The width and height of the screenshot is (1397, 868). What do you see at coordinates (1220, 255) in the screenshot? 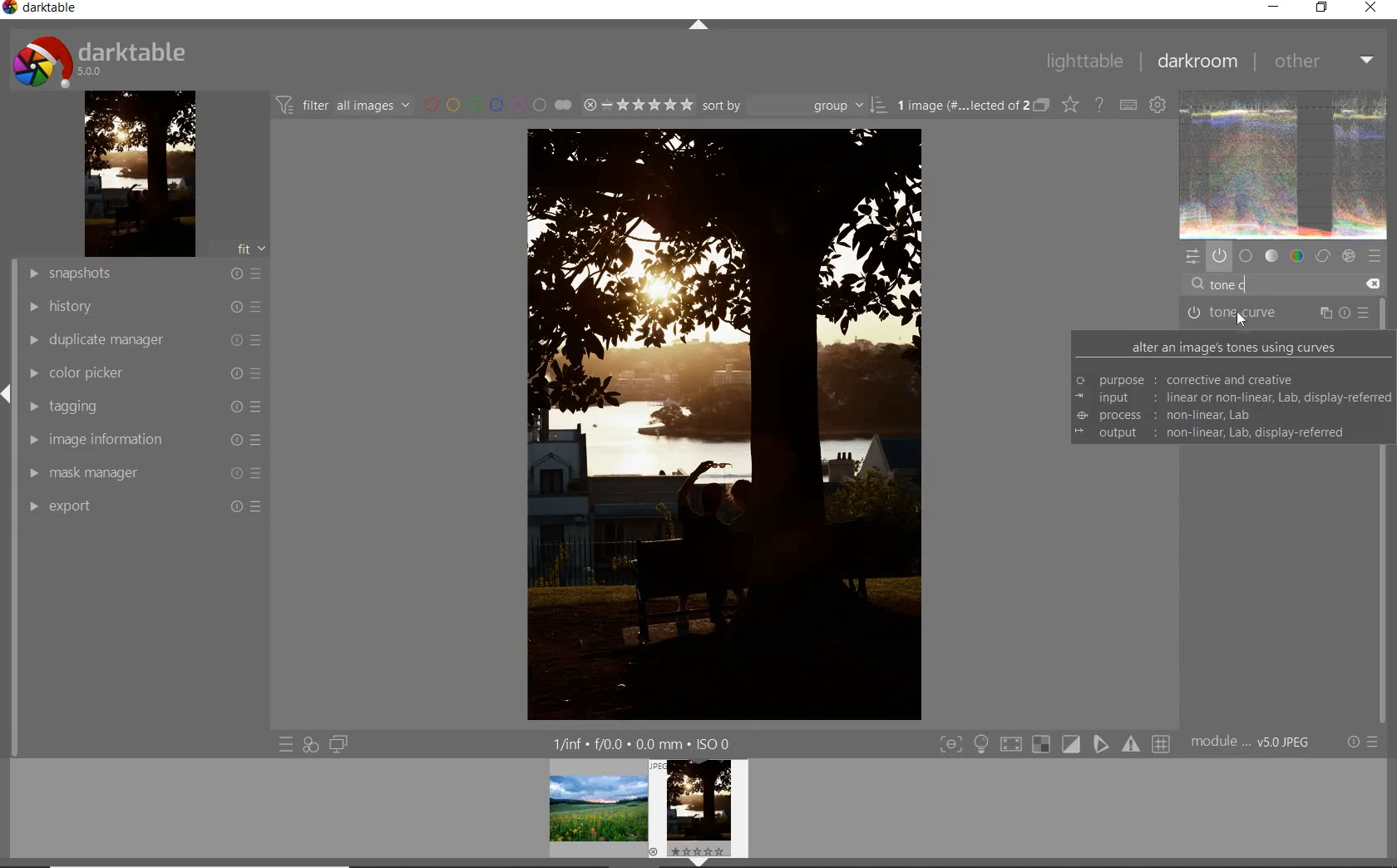
I see `show only active modules` at bounding box center [1220, 255].